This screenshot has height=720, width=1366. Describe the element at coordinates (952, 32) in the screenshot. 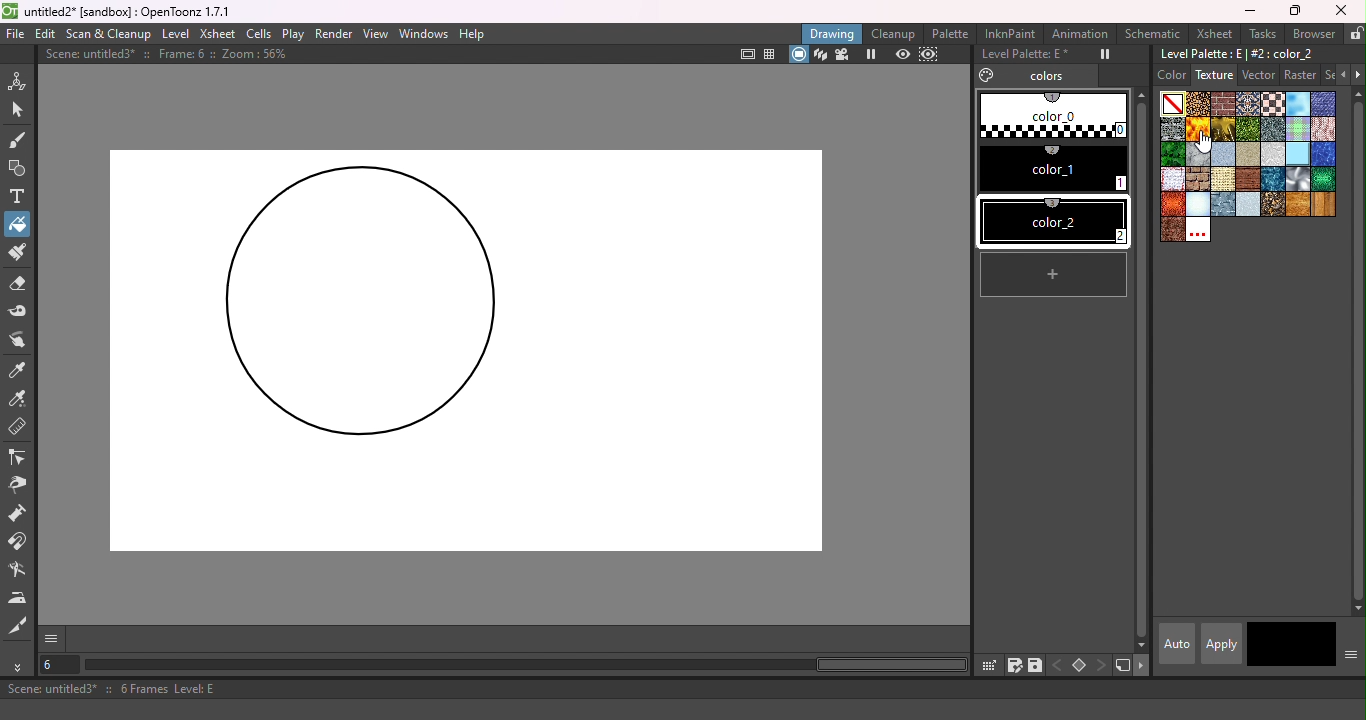

I see `Palette` at that location.